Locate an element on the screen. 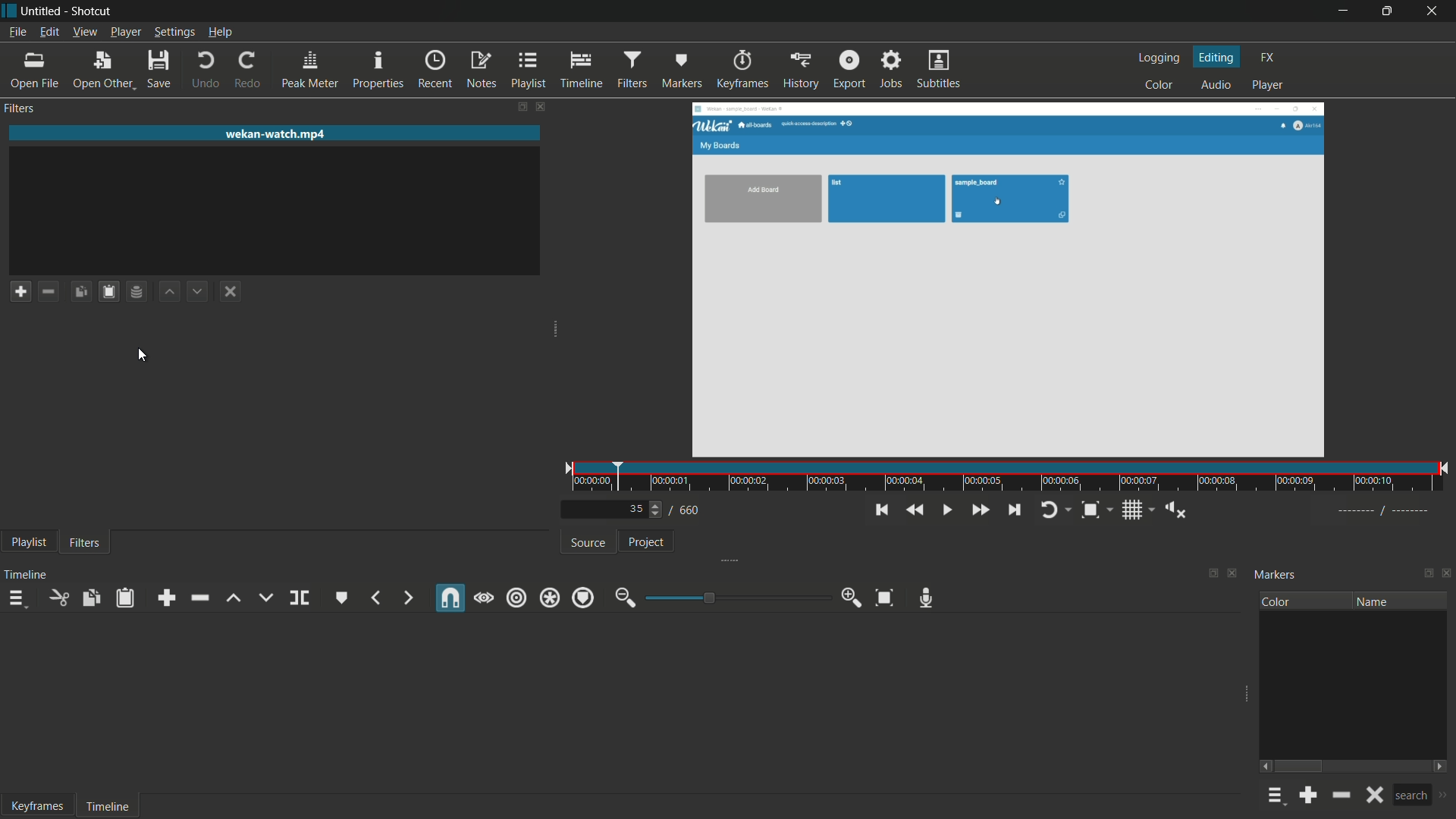 This screenshot has width=1456, height=819. zoom out is located at coordinates (626, 598).